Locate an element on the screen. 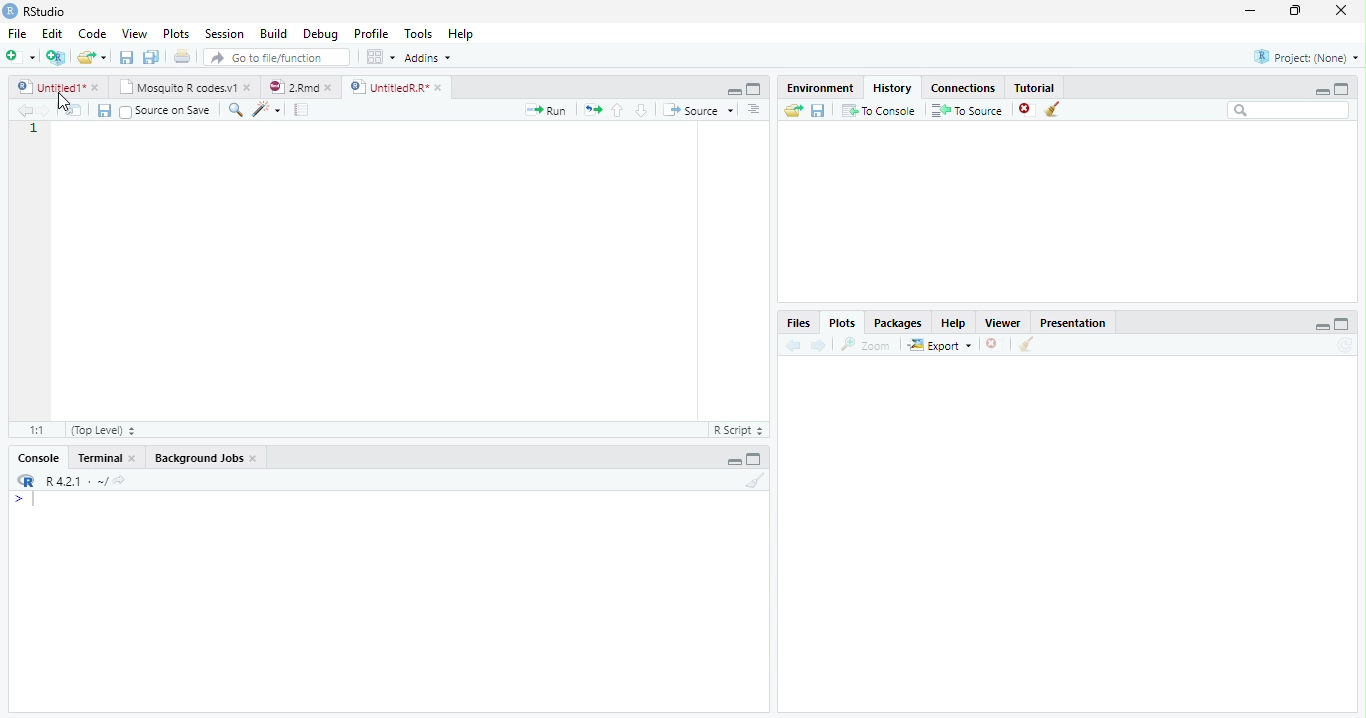 Image resolution: width=1366 pixels, height=718 pixels. Maximize is located at coordinates (1342, 324).